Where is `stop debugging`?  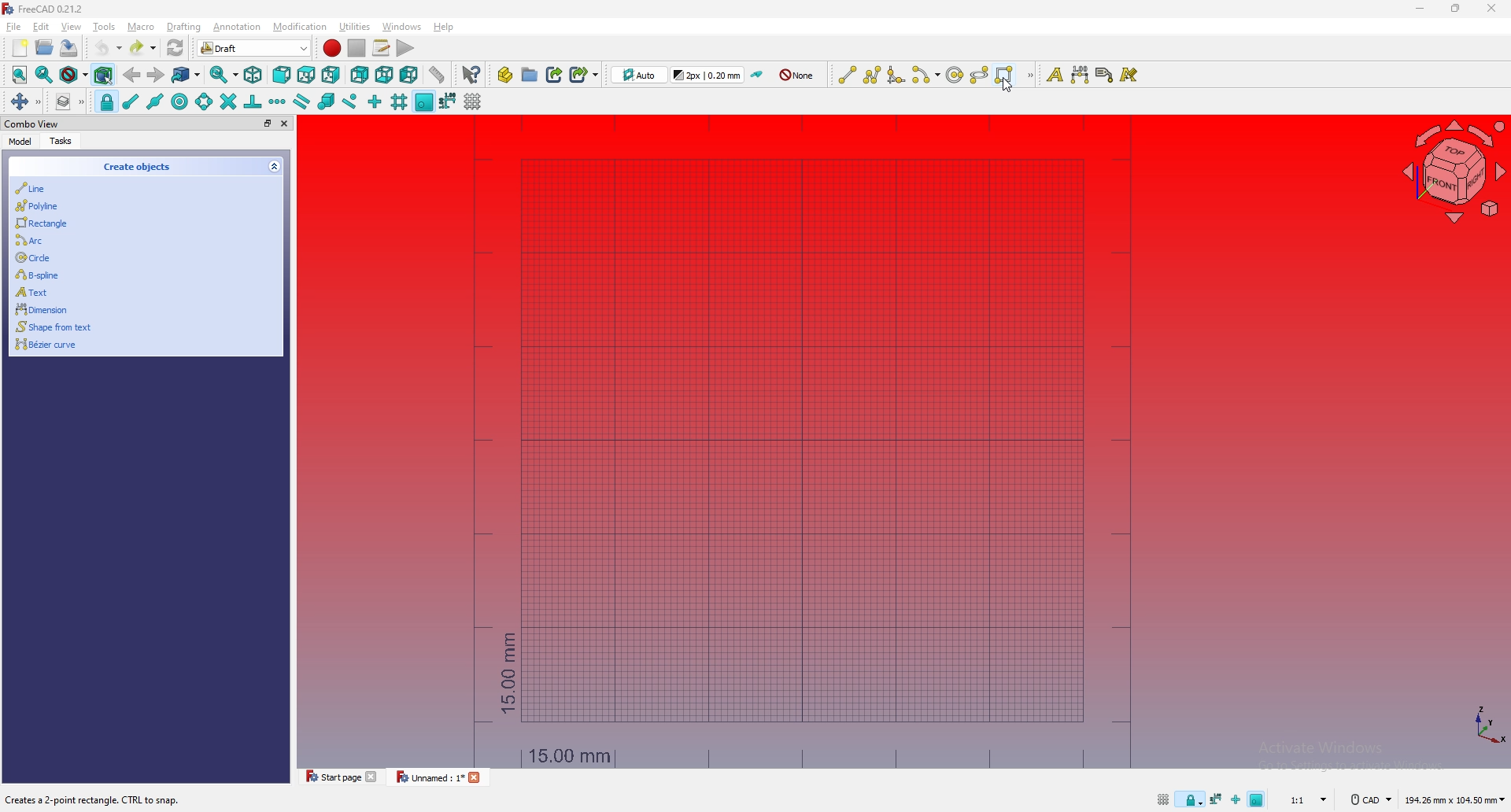 stop debugging is located at coordinates (357, 48).